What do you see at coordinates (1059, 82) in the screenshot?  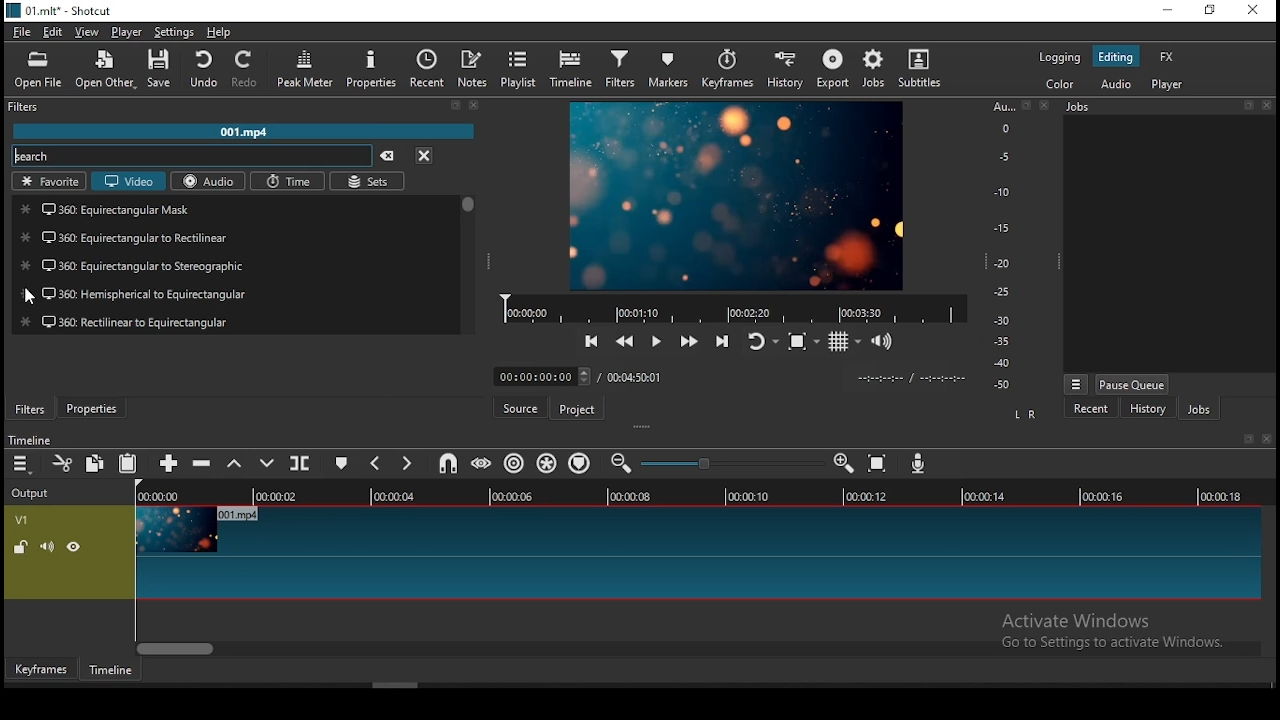 I see `color` at bounding box center [1059, 82].